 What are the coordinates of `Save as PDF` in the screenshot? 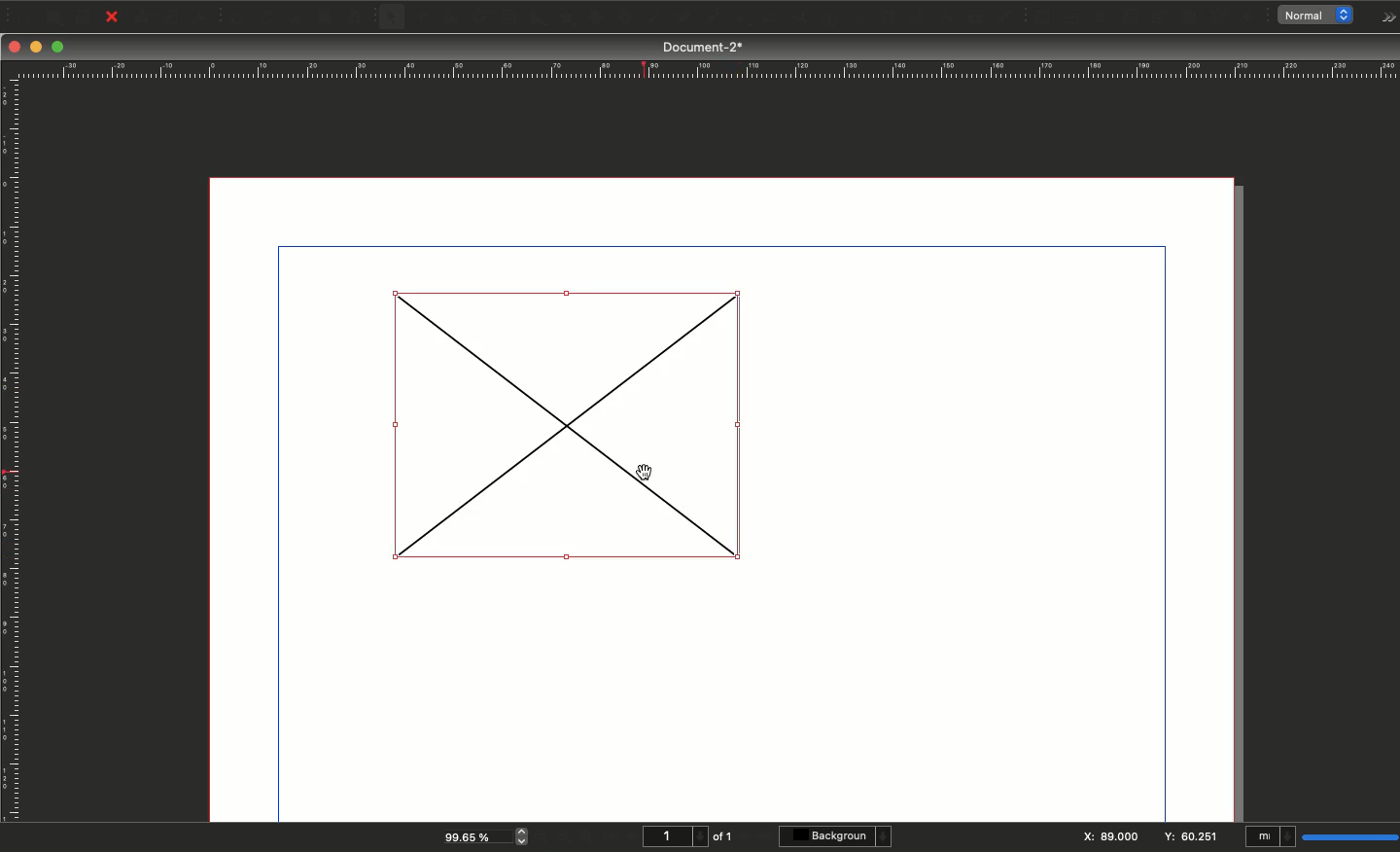 It's located at (202, 17).